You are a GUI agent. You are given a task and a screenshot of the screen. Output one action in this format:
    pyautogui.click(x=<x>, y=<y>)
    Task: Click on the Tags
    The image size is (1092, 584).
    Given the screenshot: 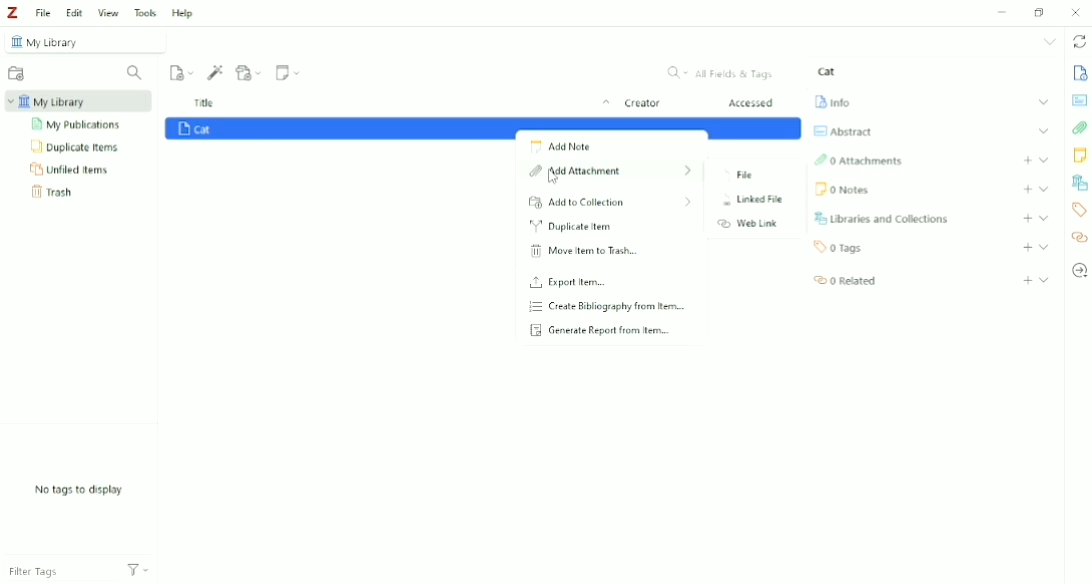 What is the action you would take?
    pyautogui.click(x=839, y=247)
    